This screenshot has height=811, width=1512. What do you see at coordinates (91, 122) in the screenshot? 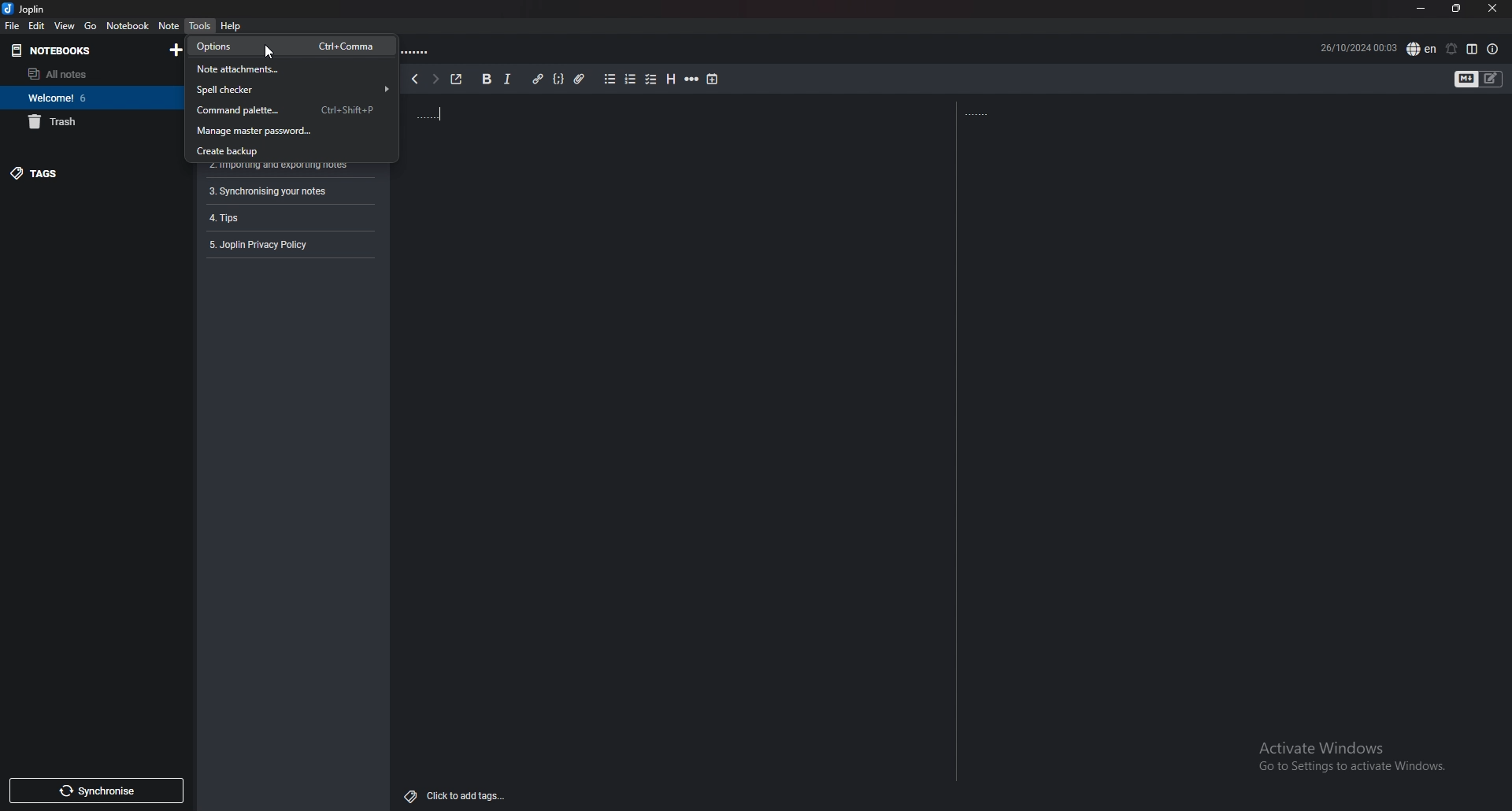
I see `trash` at bounding box center [91, 122].